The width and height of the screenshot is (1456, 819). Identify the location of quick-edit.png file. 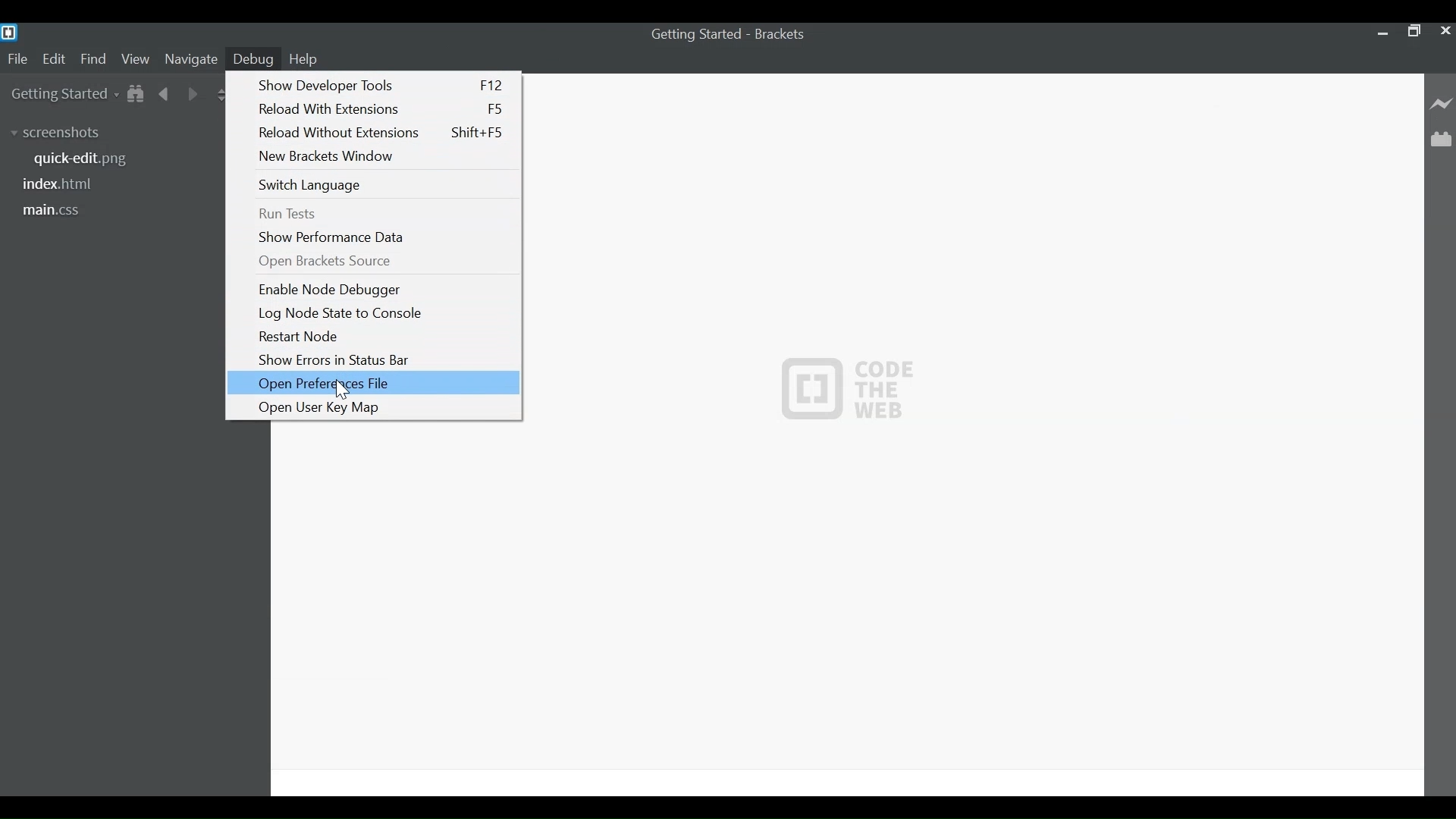
(89, 160).